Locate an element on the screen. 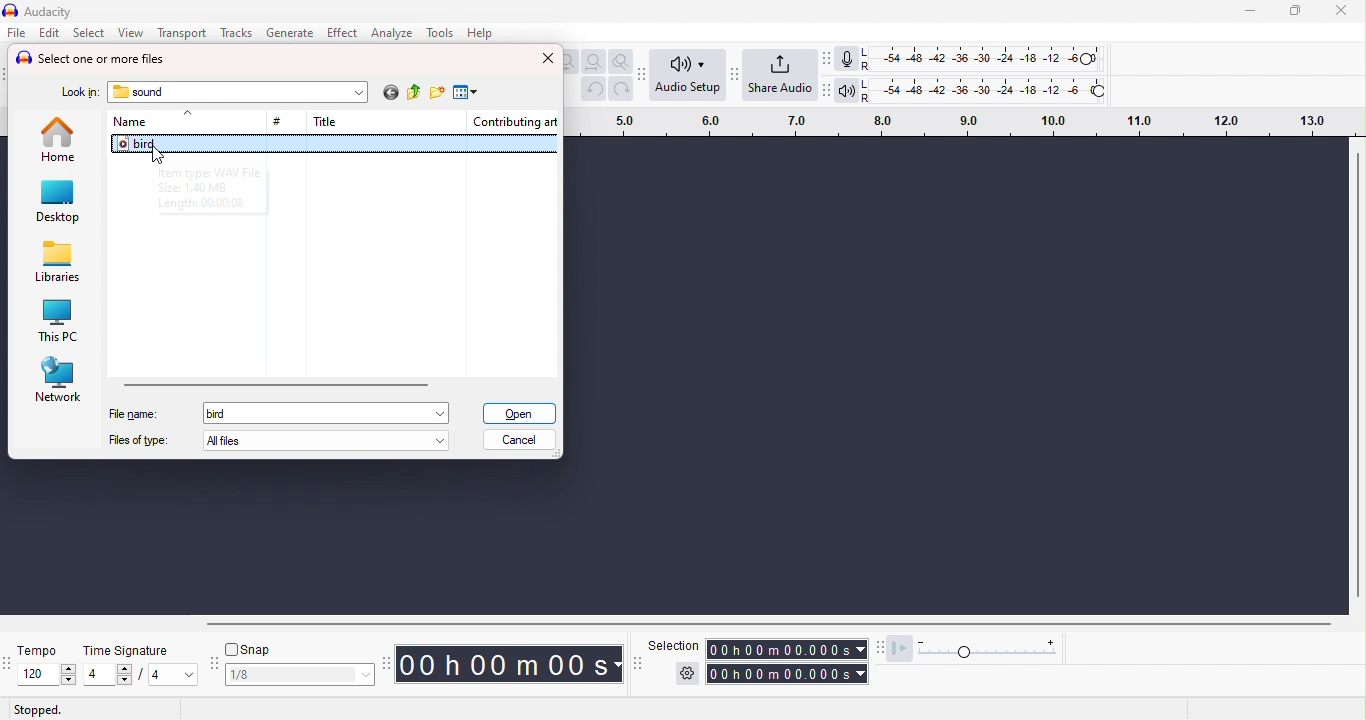  time is located at coordinates (511, 663).